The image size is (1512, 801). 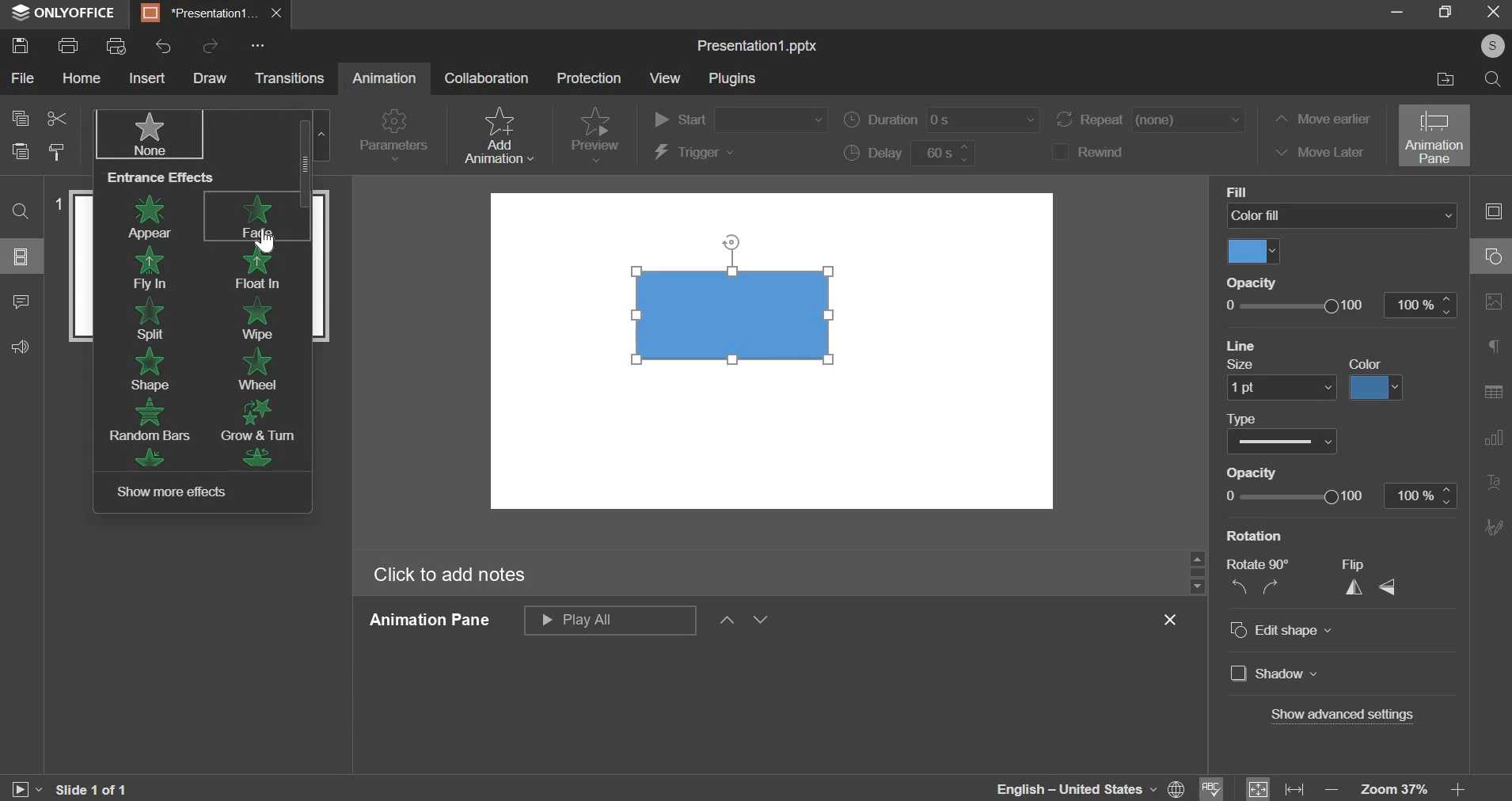 I want to click on feedback, so click(x=21, y=347).